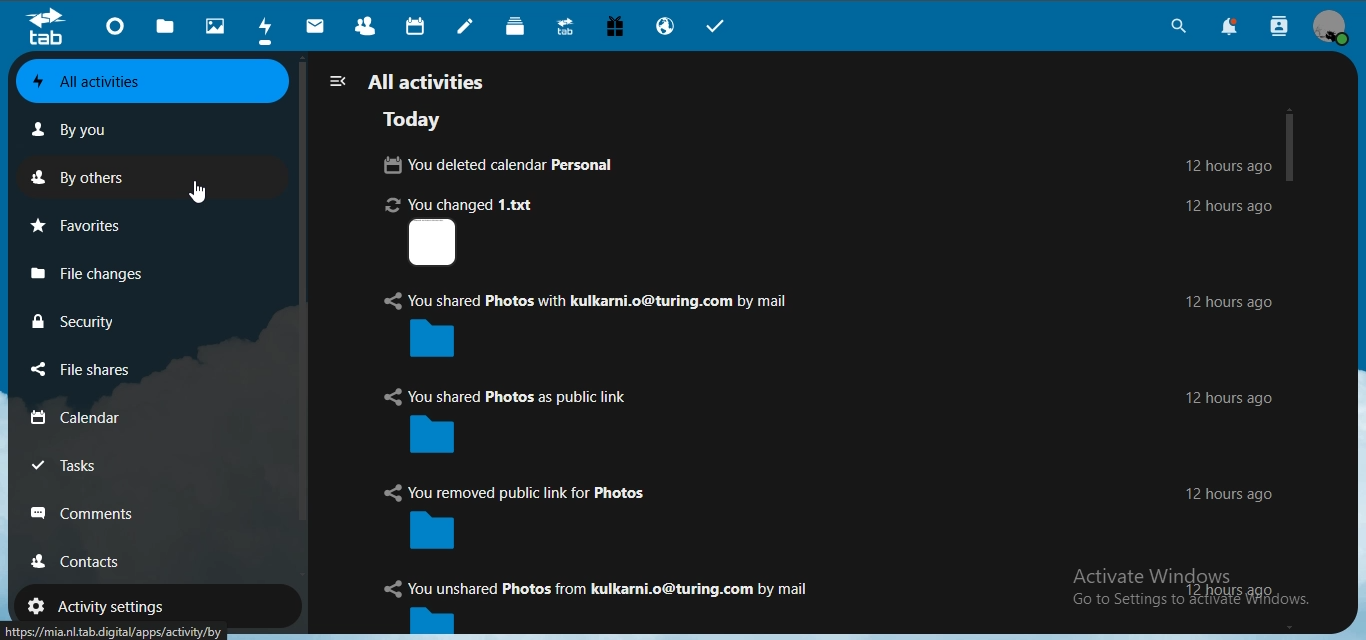  What do you see at coordinates (166, 26) in the screenshot?
I see `files` at bounding box center [166, 26].